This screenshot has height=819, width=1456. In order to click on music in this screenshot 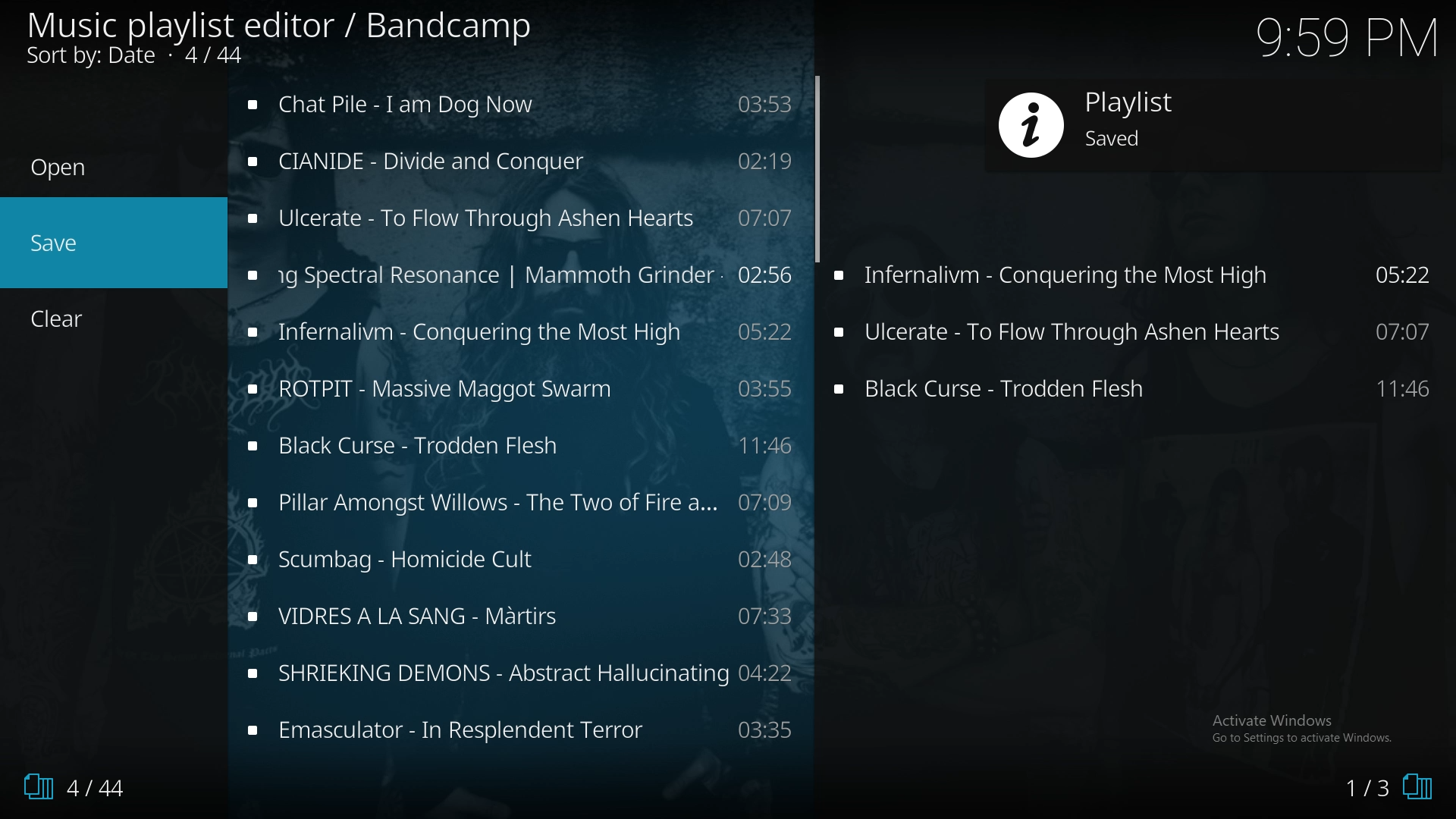, I will do `click(520, 563)`.